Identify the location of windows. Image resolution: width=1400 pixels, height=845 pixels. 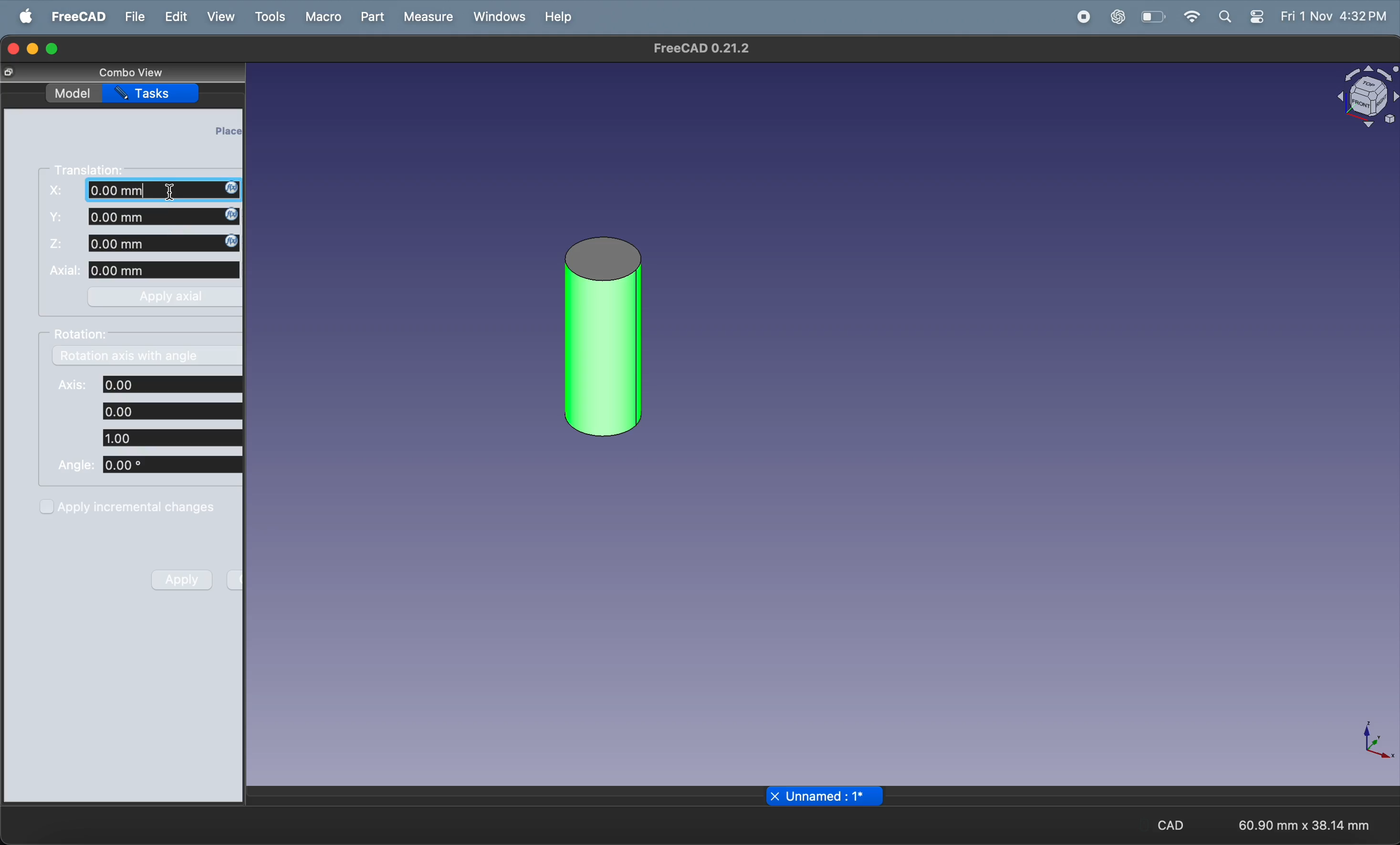
(495, 18).